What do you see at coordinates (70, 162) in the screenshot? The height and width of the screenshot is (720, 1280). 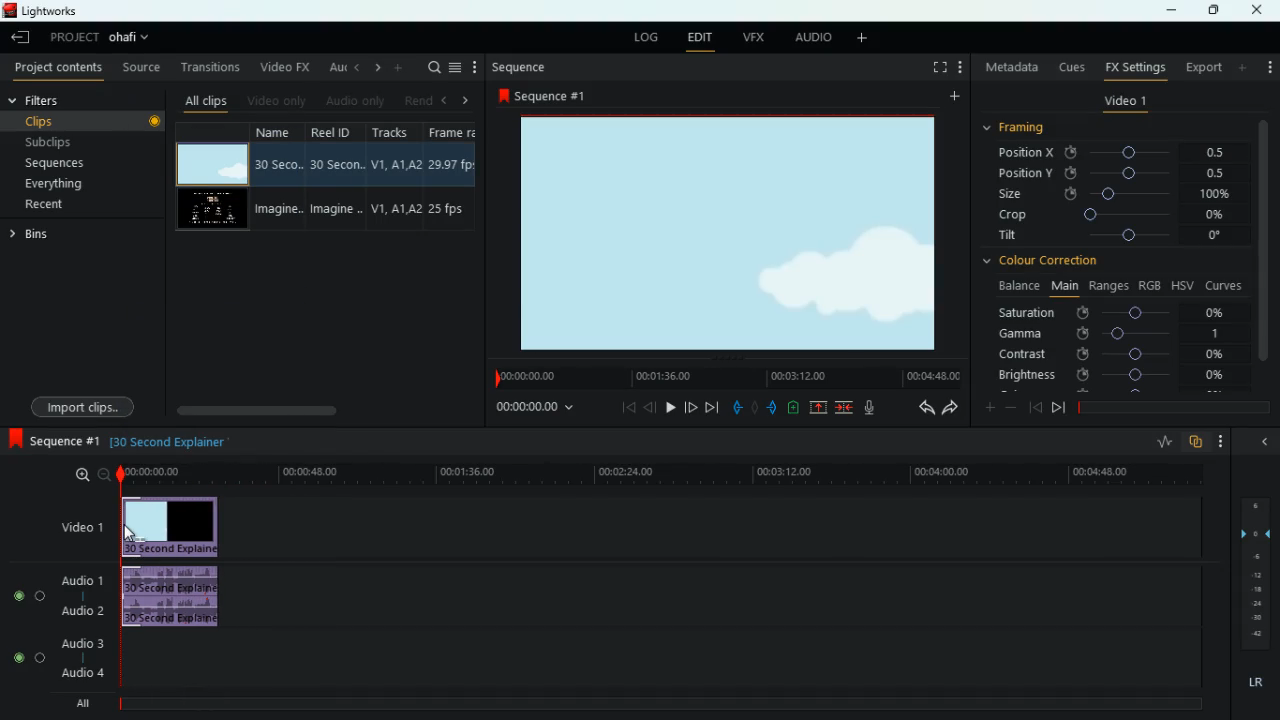 I see `sequences` at bounding box center [70, 162].